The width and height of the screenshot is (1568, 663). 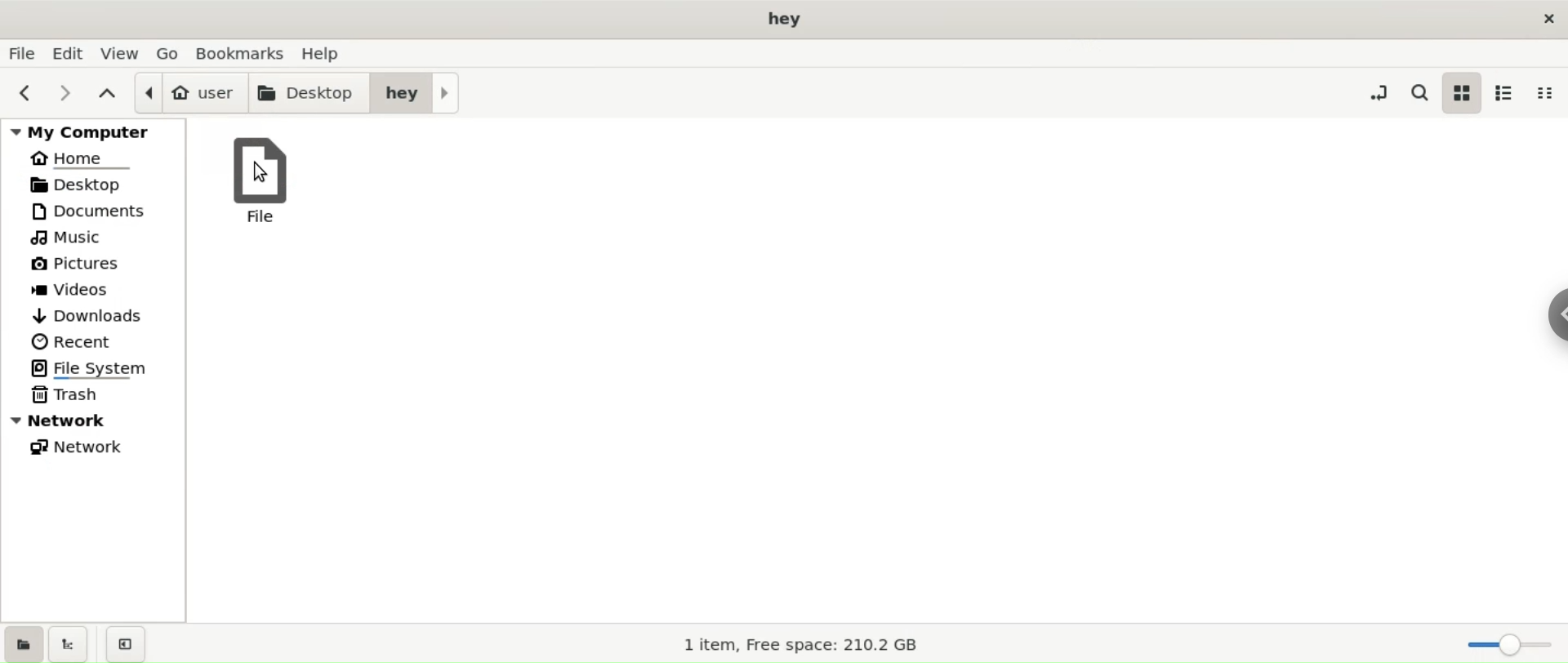 What do you see at coordinates (96, 420) in the screenshot?
I see `network` at bounding box center [96, 420].